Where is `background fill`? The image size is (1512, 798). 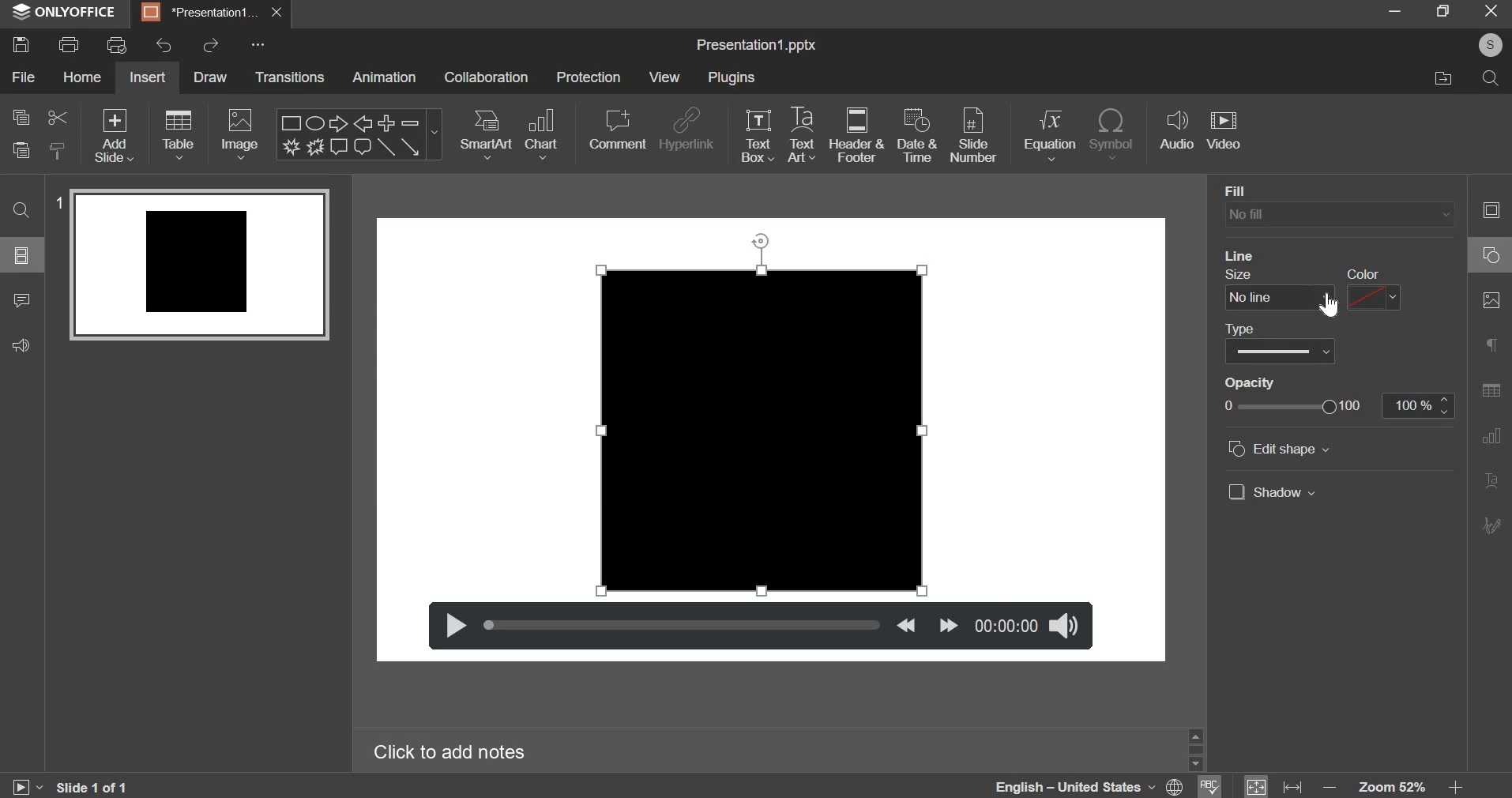
background fill is located at coordinates (1338, 214).